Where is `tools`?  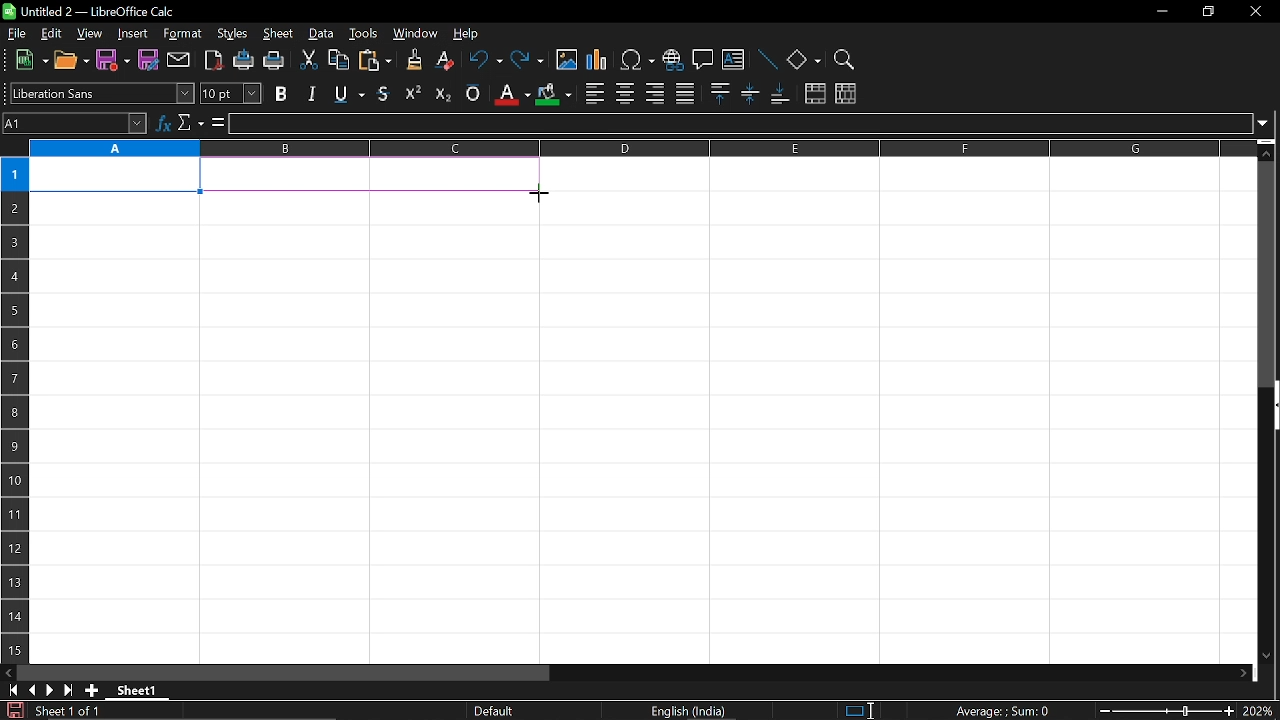 tools is located at coordinates (364, 35).